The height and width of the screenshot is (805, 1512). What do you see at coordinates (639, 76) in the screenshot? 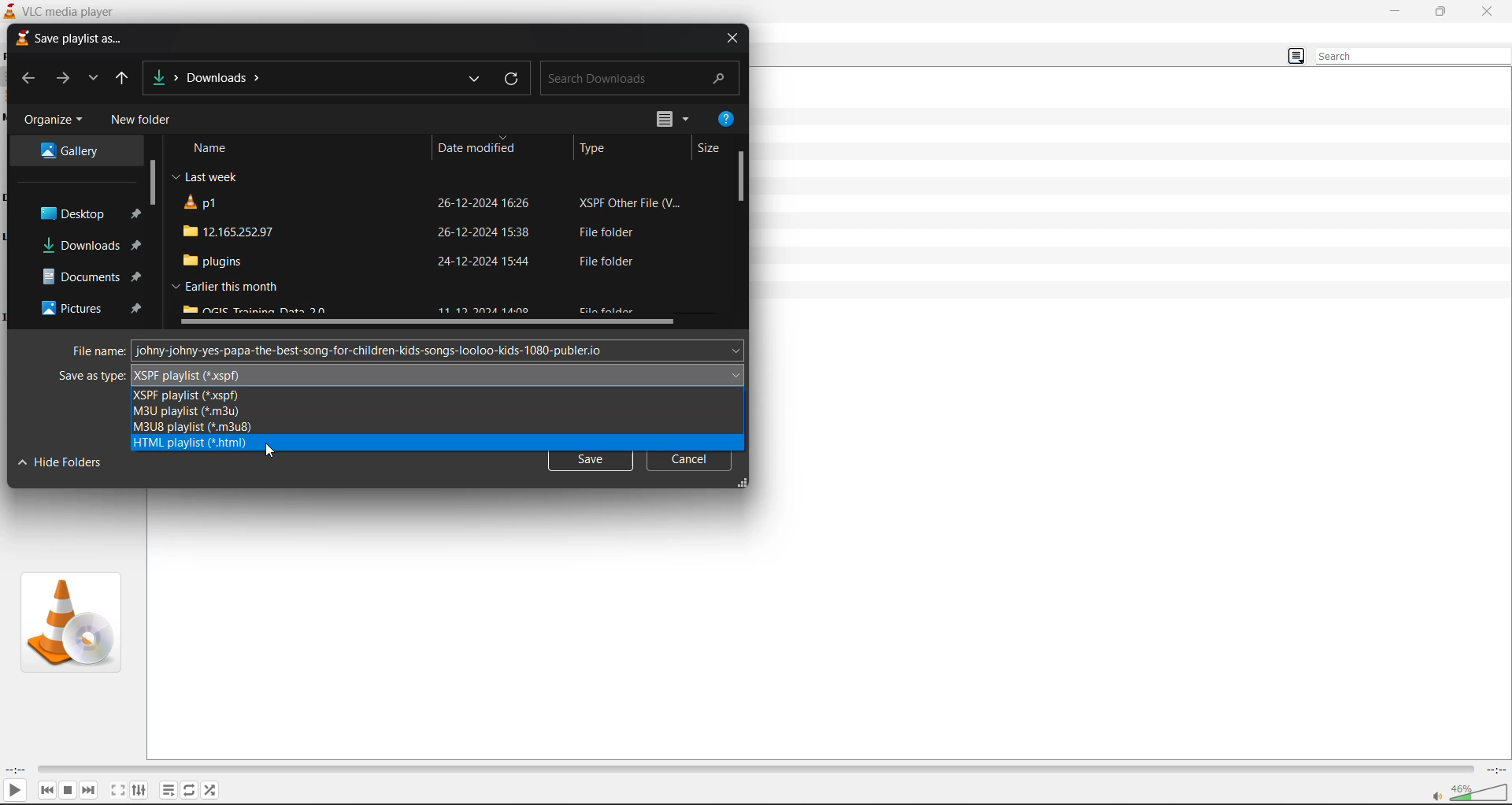
I see `search` at bounding box center [639, 76].